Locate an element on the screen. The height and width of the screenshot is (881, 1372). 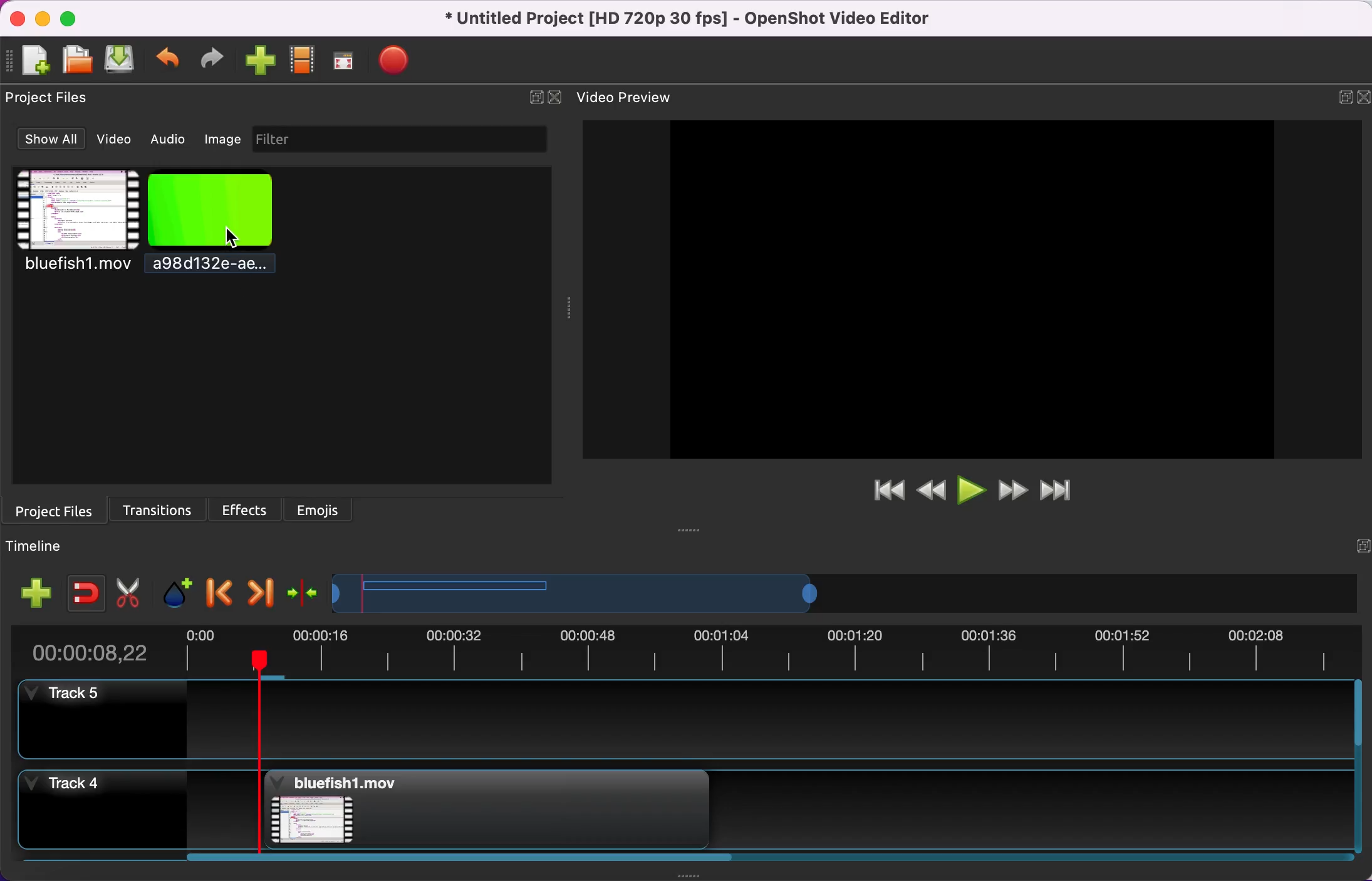
Cursor is located at coordinates (235, 238).